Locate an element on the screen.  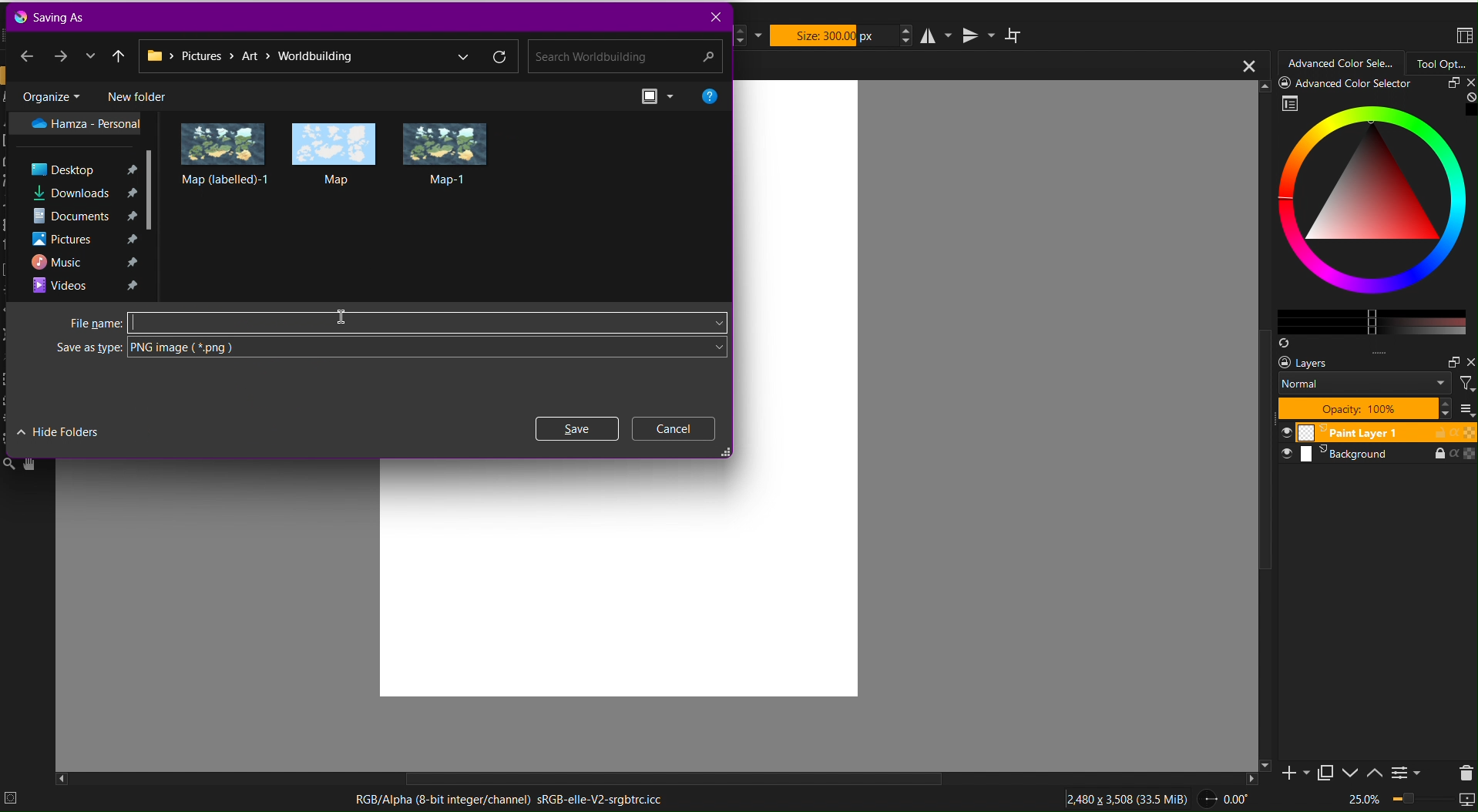
Folders is located at coordinates (87, 204).